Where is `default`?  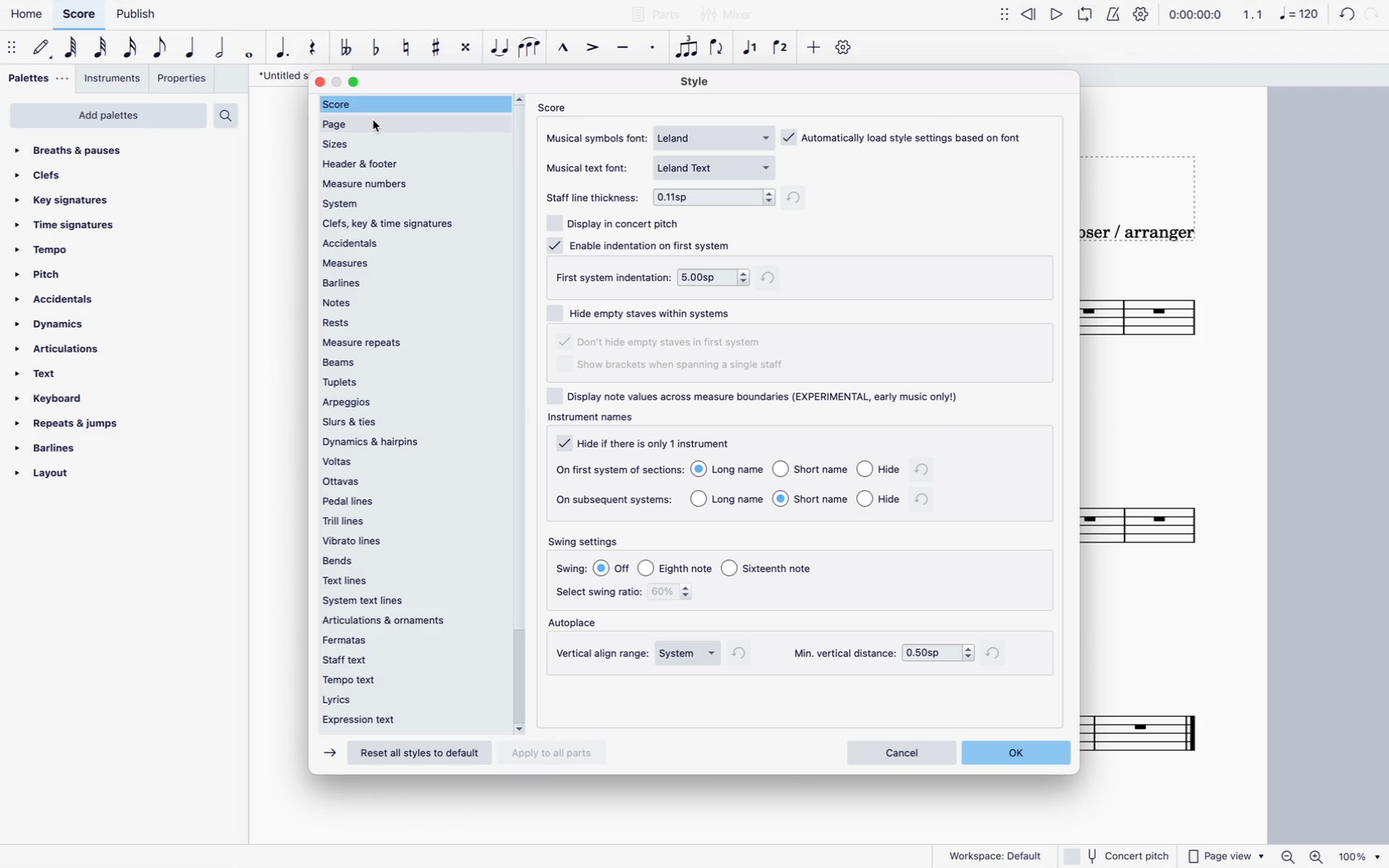 default is located at coordinates (42, 50).